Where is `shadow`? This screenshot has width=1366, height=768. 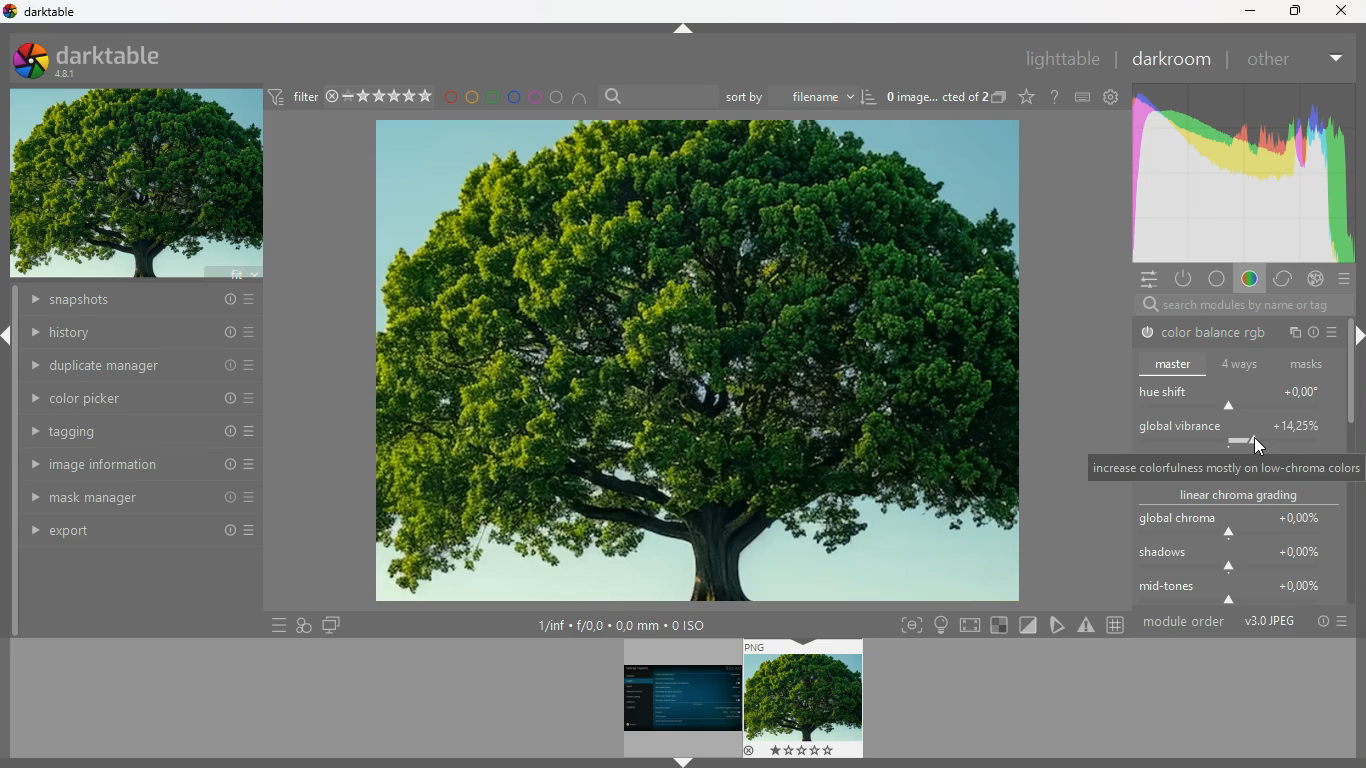
shadow is located at coordinates (1238, 561).